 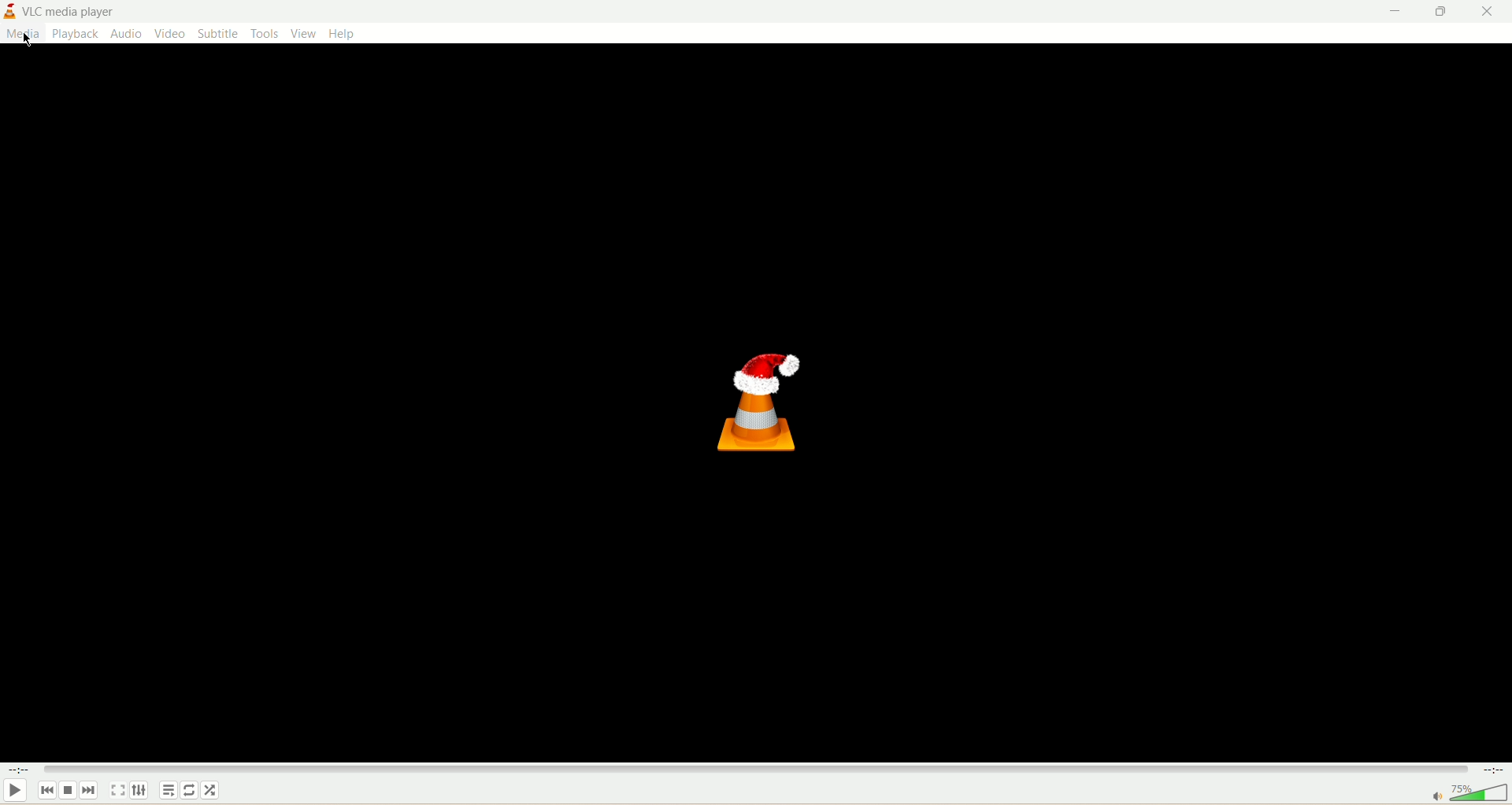 What do you see at coordinates (753, 771) in the screenshot?
I see `seek bar` at bounding box center [753, 771].